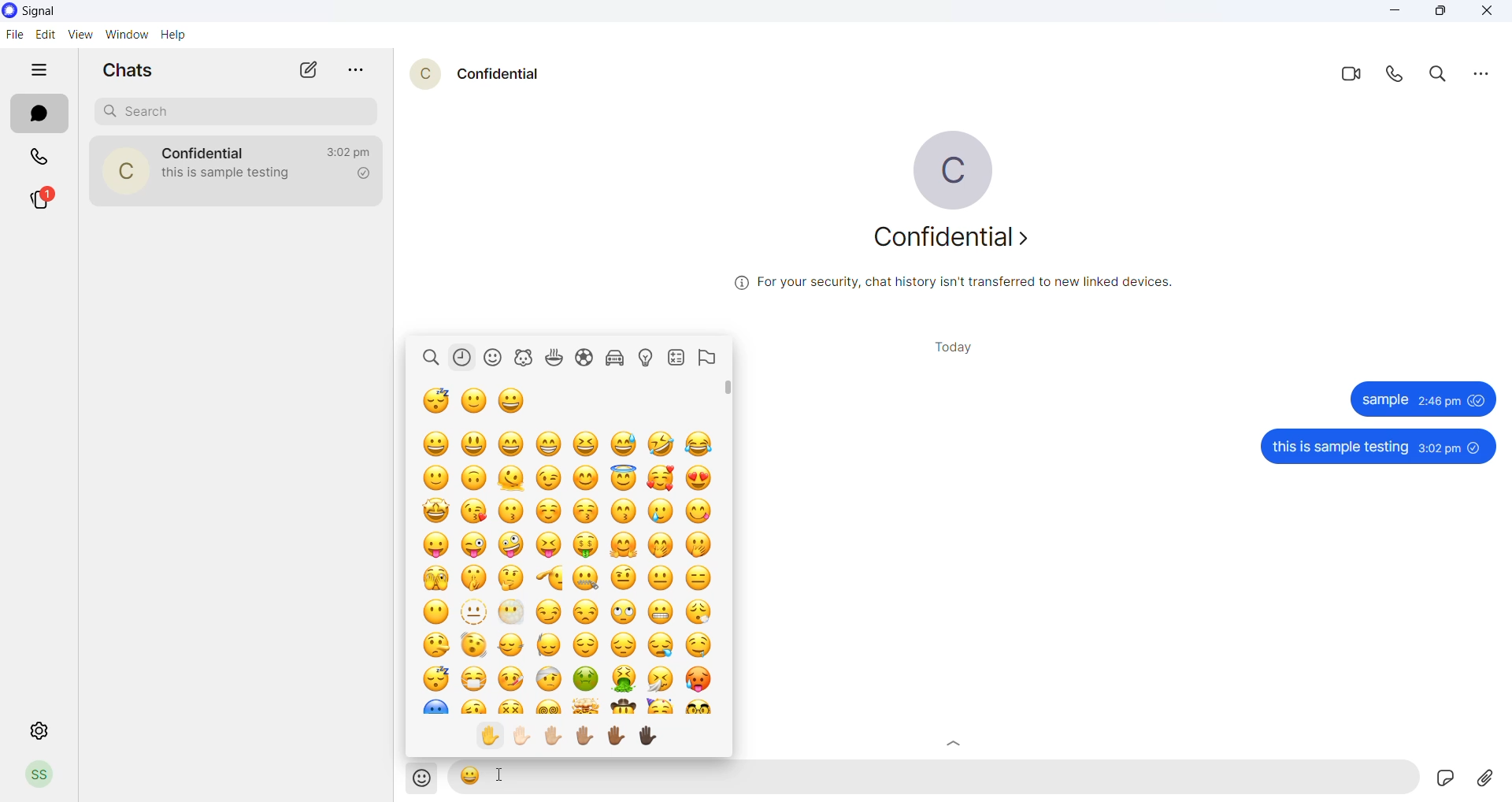 This screenshot has width=1512, height=802. I want to click on emojis, so click(565, 566).